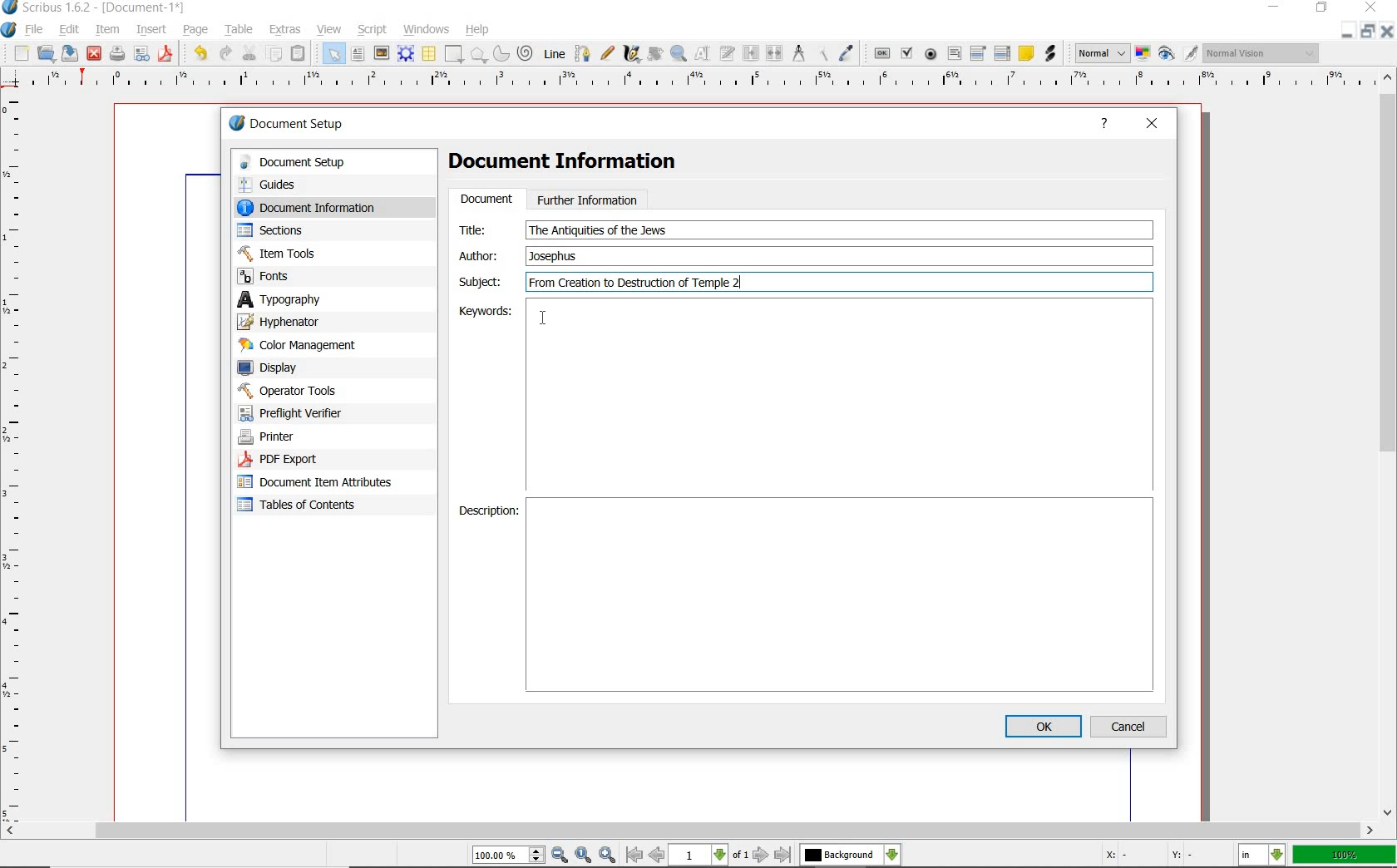 This screenshot has width=1397, height=868. What do you see at coordinates (1262, 52) in the screenshot?
I see `visual appearance of the display` at bounding box center [1262, 52].